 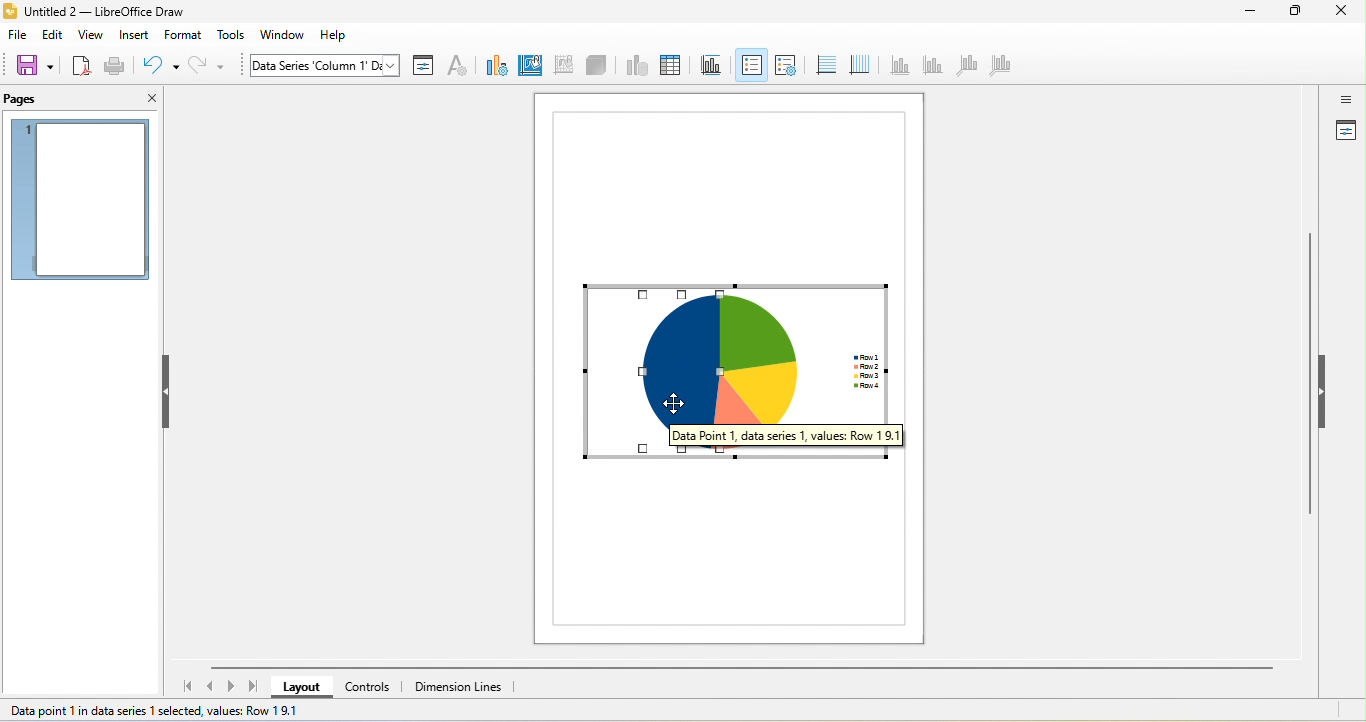 I want to click on tools, so click(x=232, y=36).